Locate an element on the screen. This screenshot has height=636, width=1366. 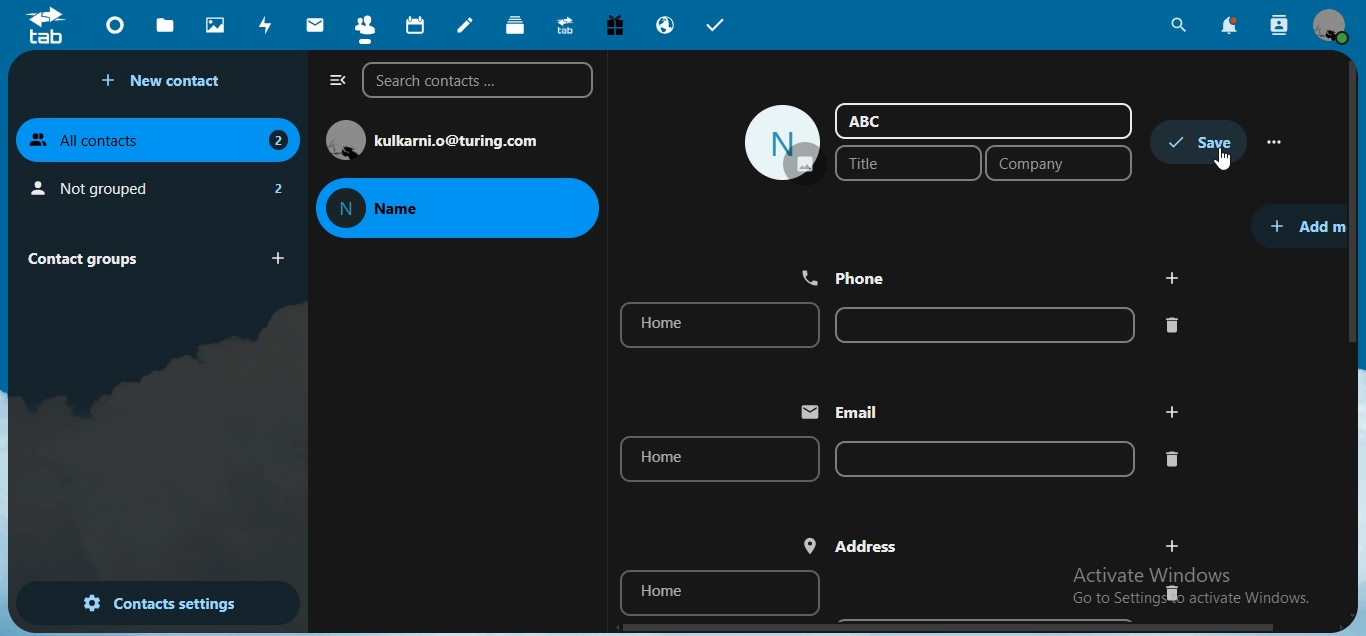
 is located at coordinates (988, 323).